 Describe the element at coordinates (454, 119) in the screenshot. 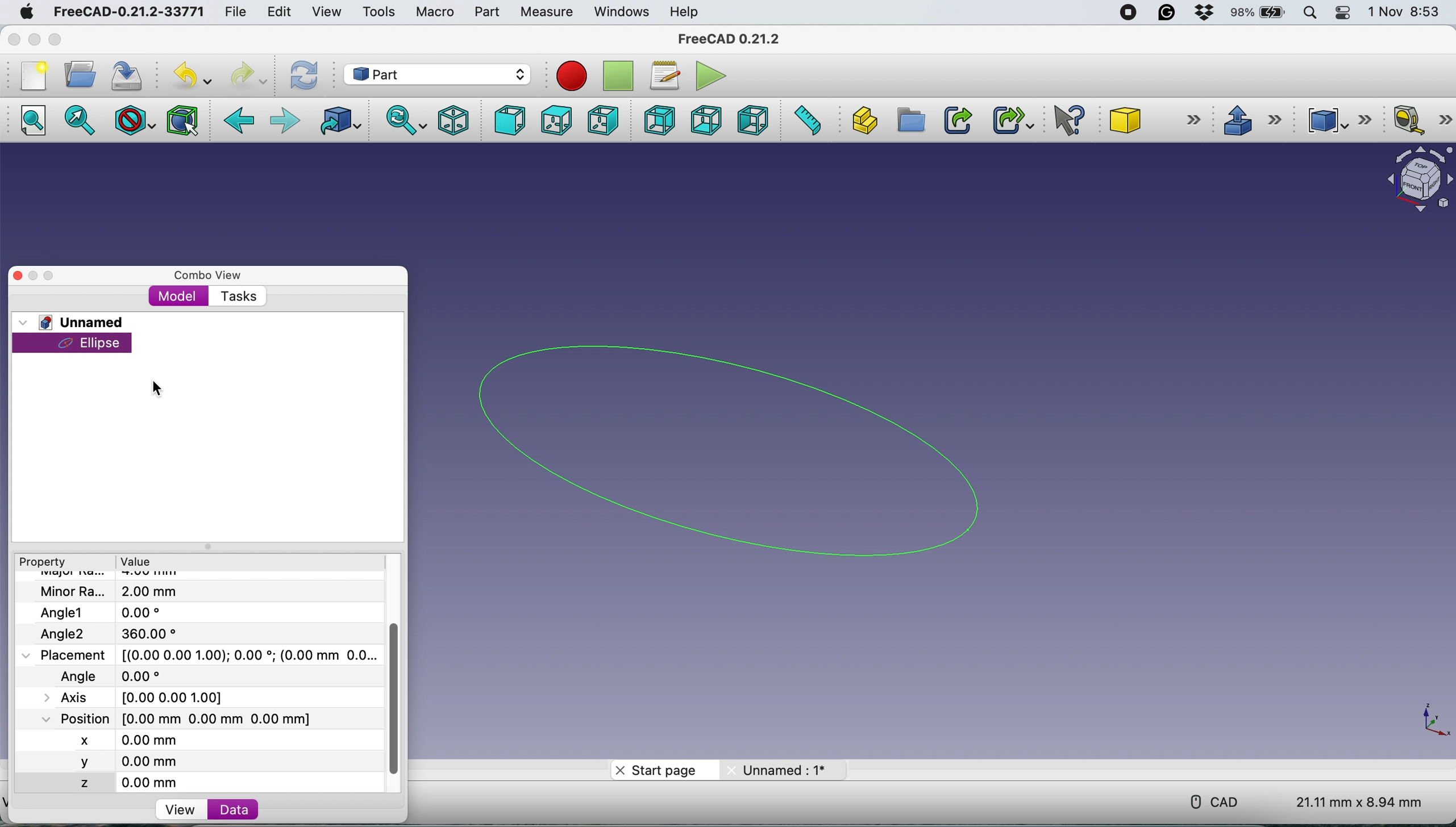

I see `isometric` at that location.